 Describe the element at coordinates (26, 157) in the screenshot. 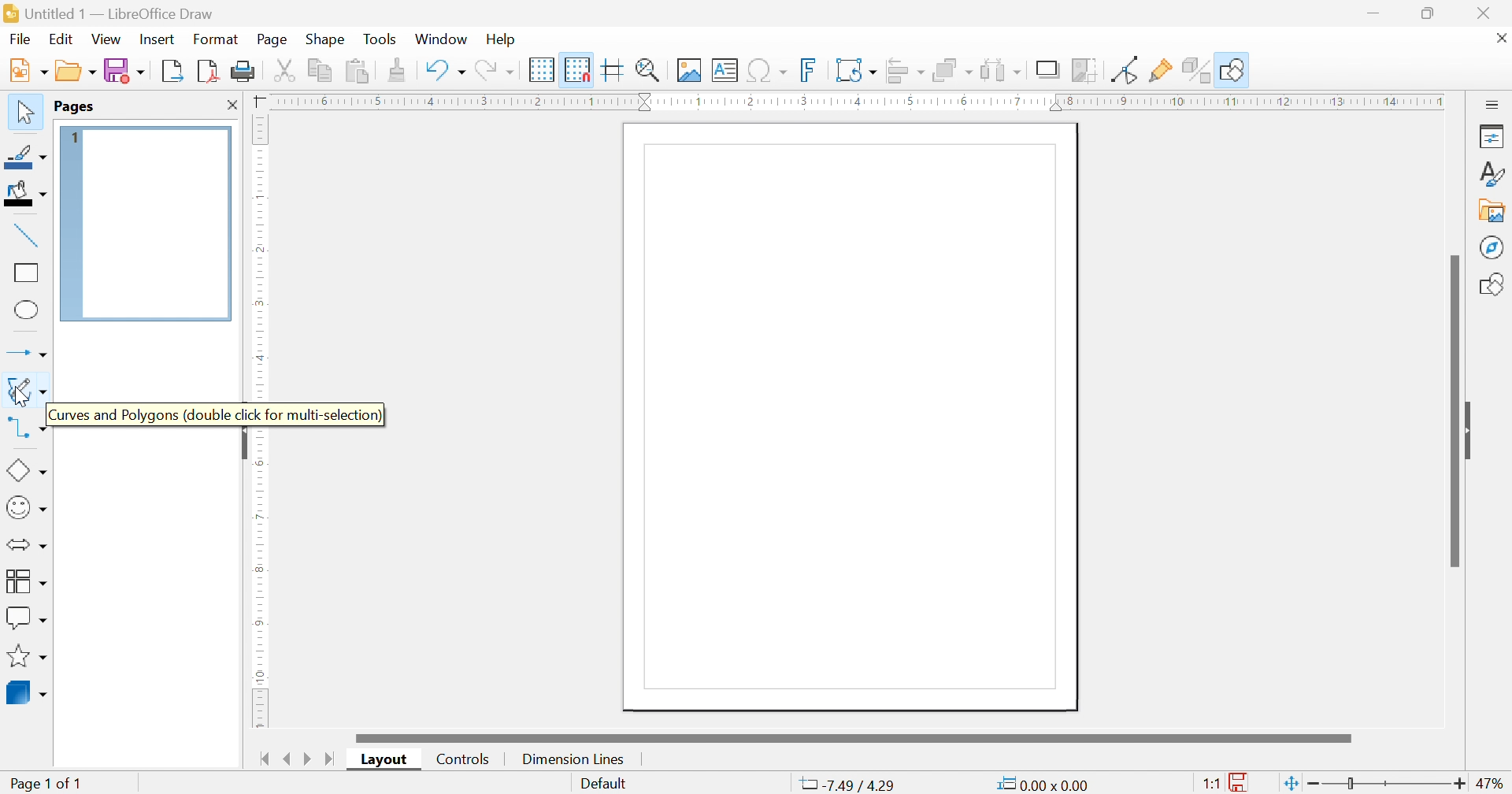

I see `line color` at that location.